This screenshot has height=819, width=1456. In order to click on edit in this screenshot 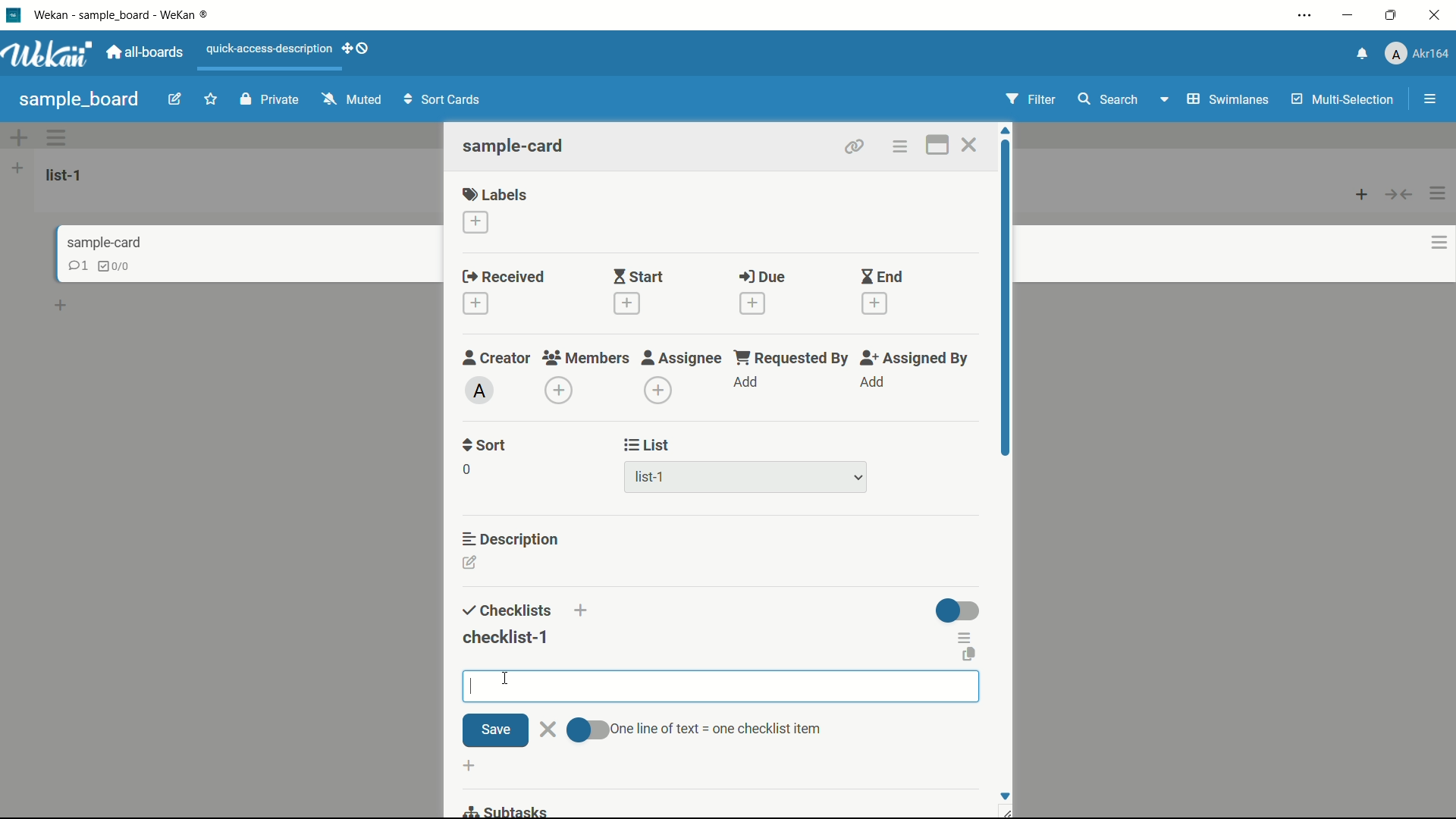, I will do `click(165, 99)`.